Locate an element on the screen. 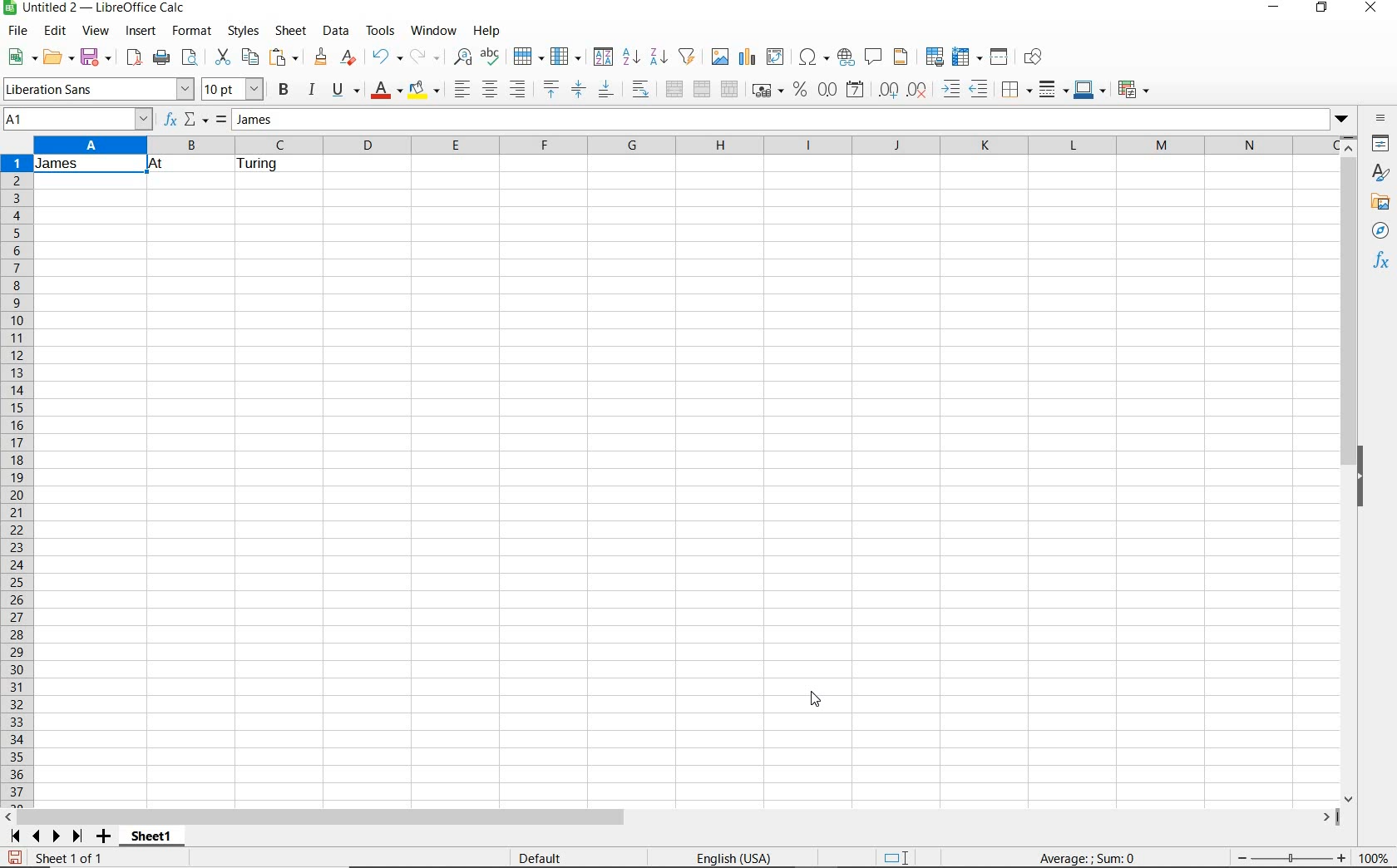  scrollbar is located at coordinates (673, 818).